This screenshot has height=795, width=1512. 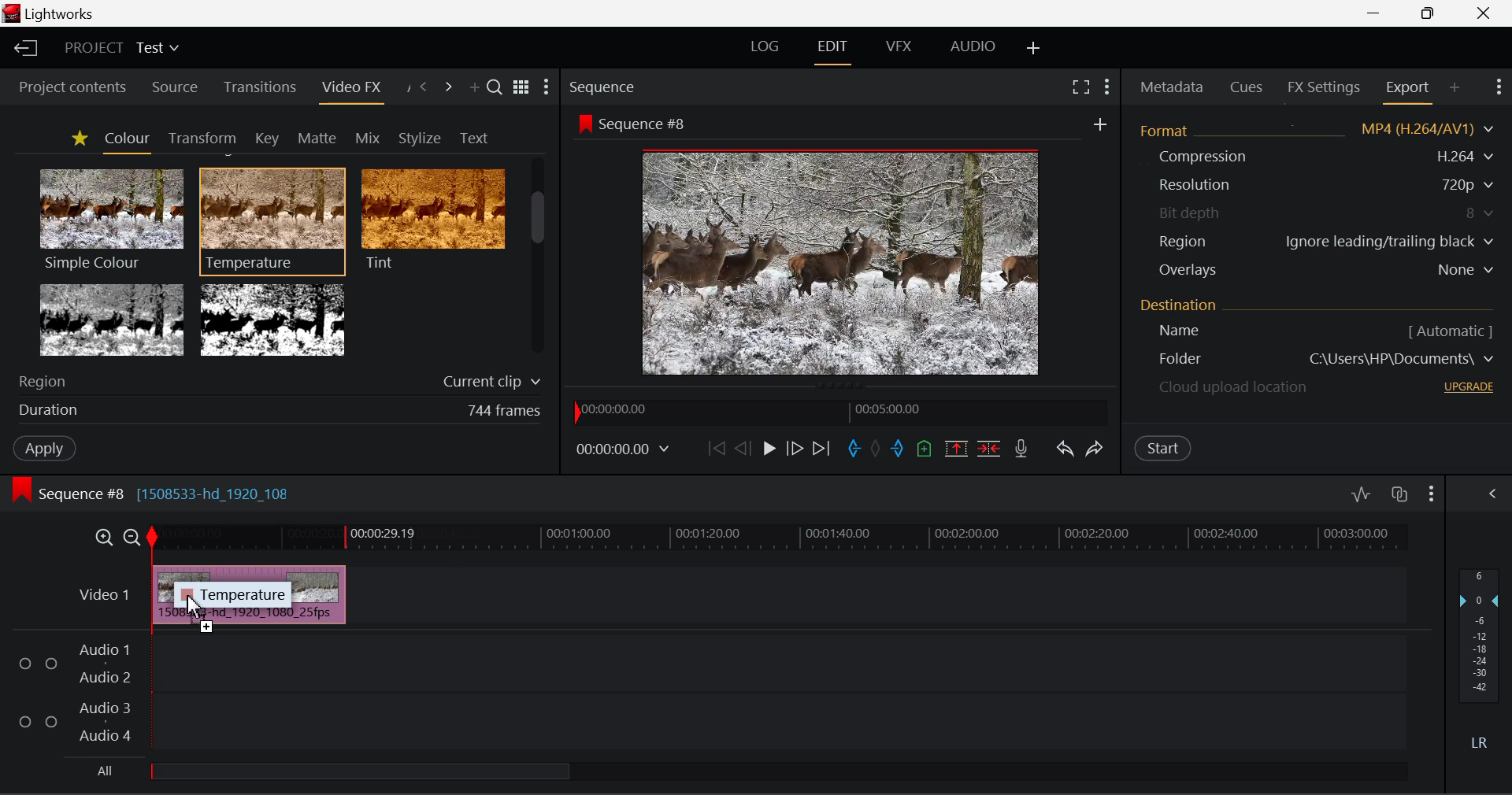 I want to click on Region, so click(x=1184, y=241).